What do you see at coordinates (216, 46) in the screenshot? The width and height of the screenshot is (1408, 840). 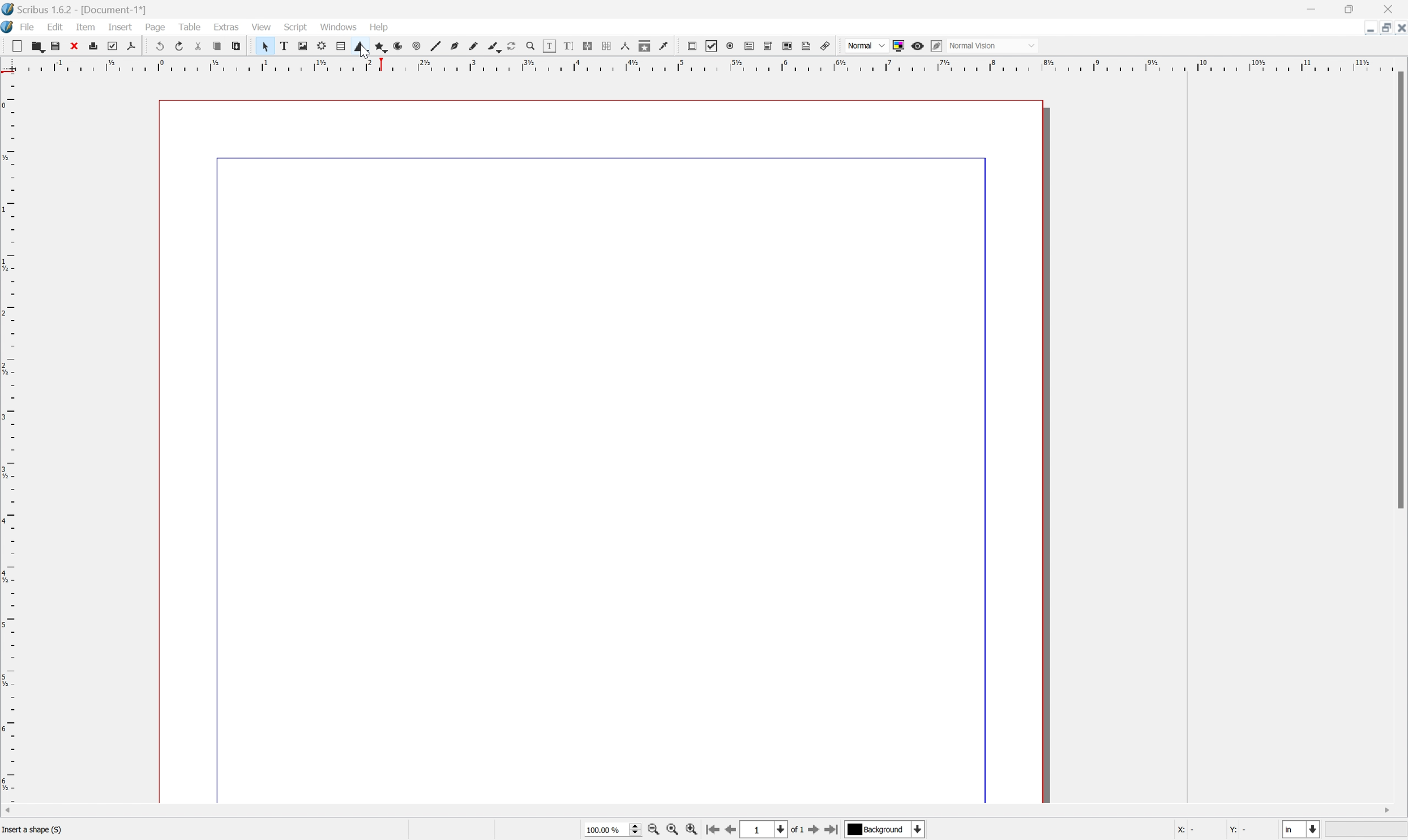 I see `Copy` at bounding box center [216, 46].